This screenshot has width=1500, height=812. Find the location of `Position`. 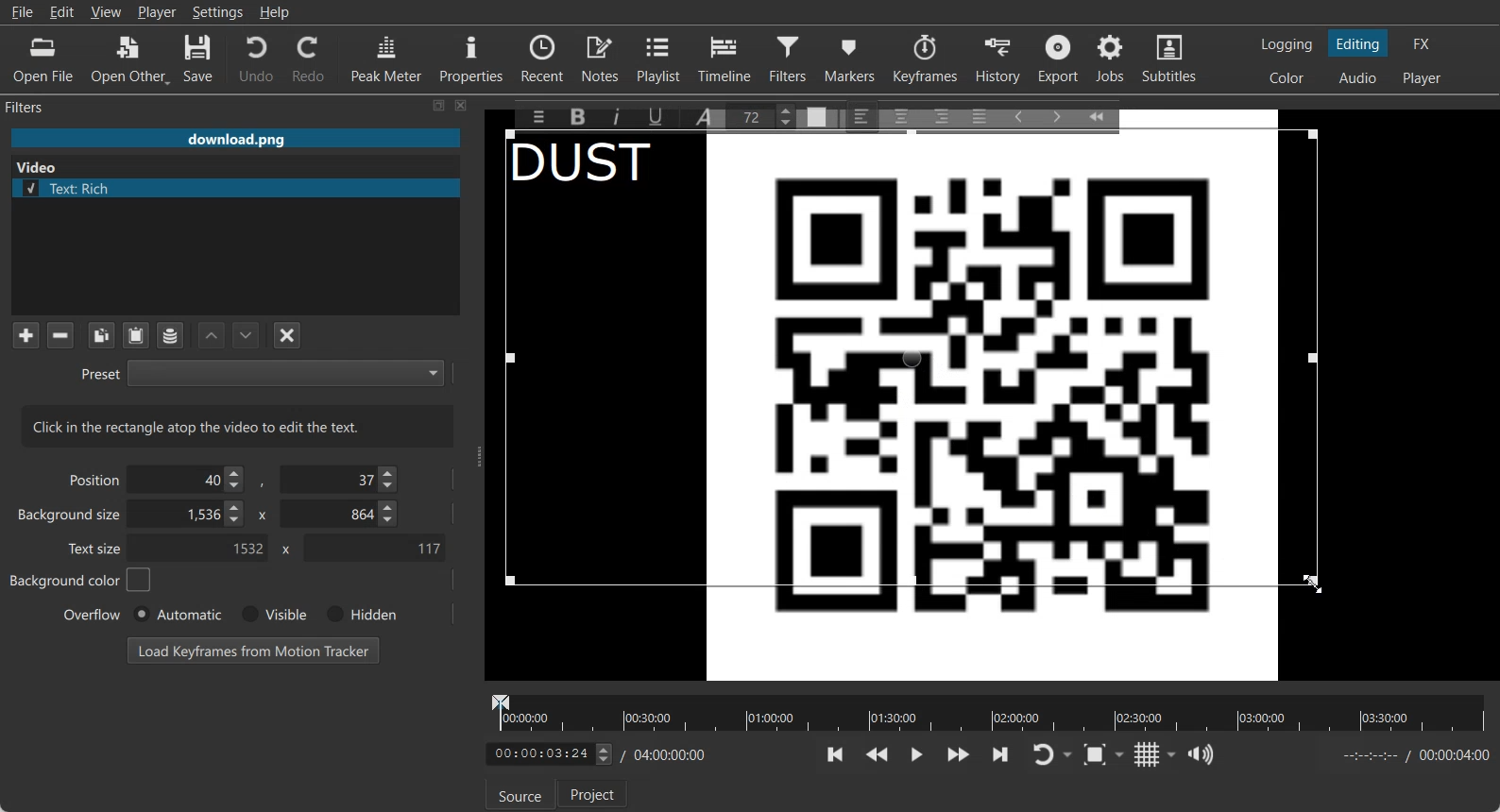

Position is located at coordinates (91, 479).